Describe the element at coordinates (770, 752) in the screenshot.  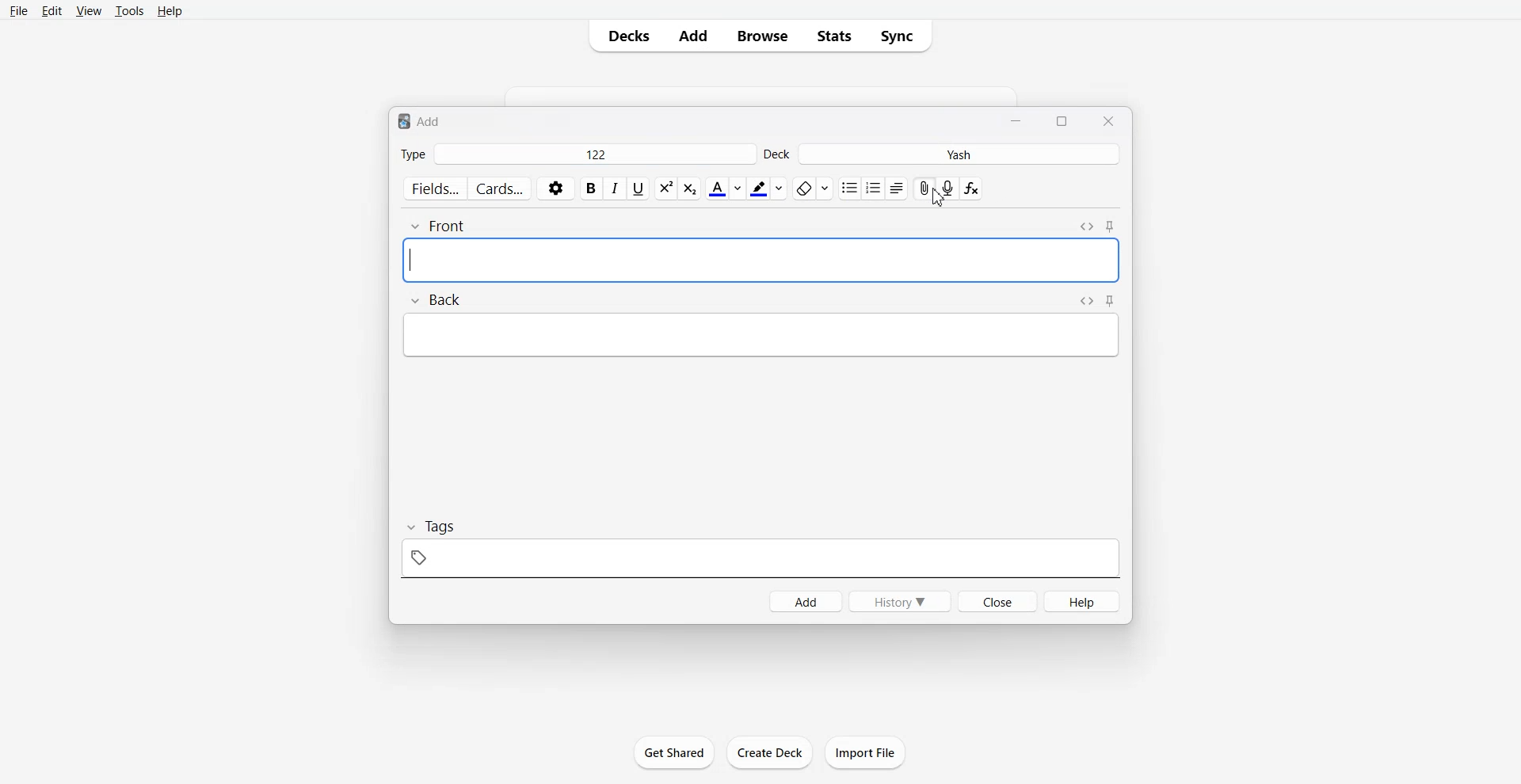
I see `create Deck` at that location.